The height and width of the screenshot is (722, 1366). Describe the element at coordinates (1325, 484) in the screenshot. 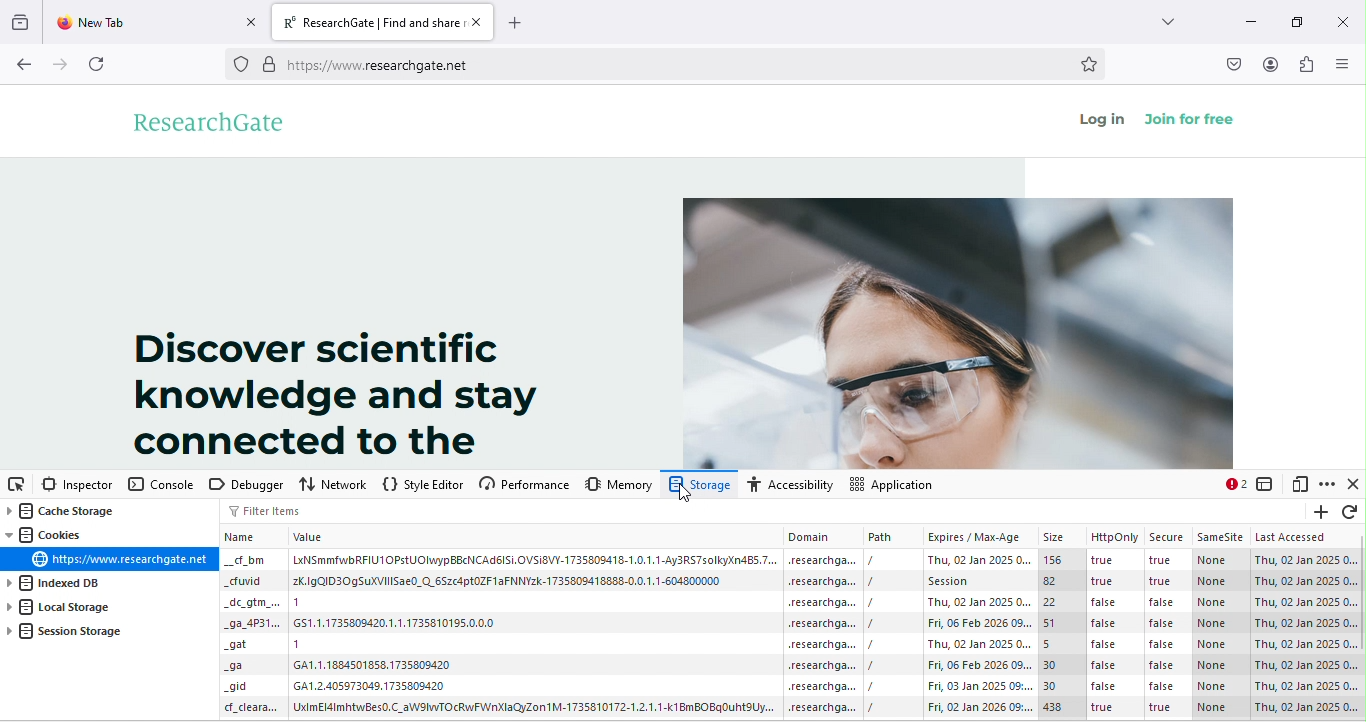

I see `option` at that location.